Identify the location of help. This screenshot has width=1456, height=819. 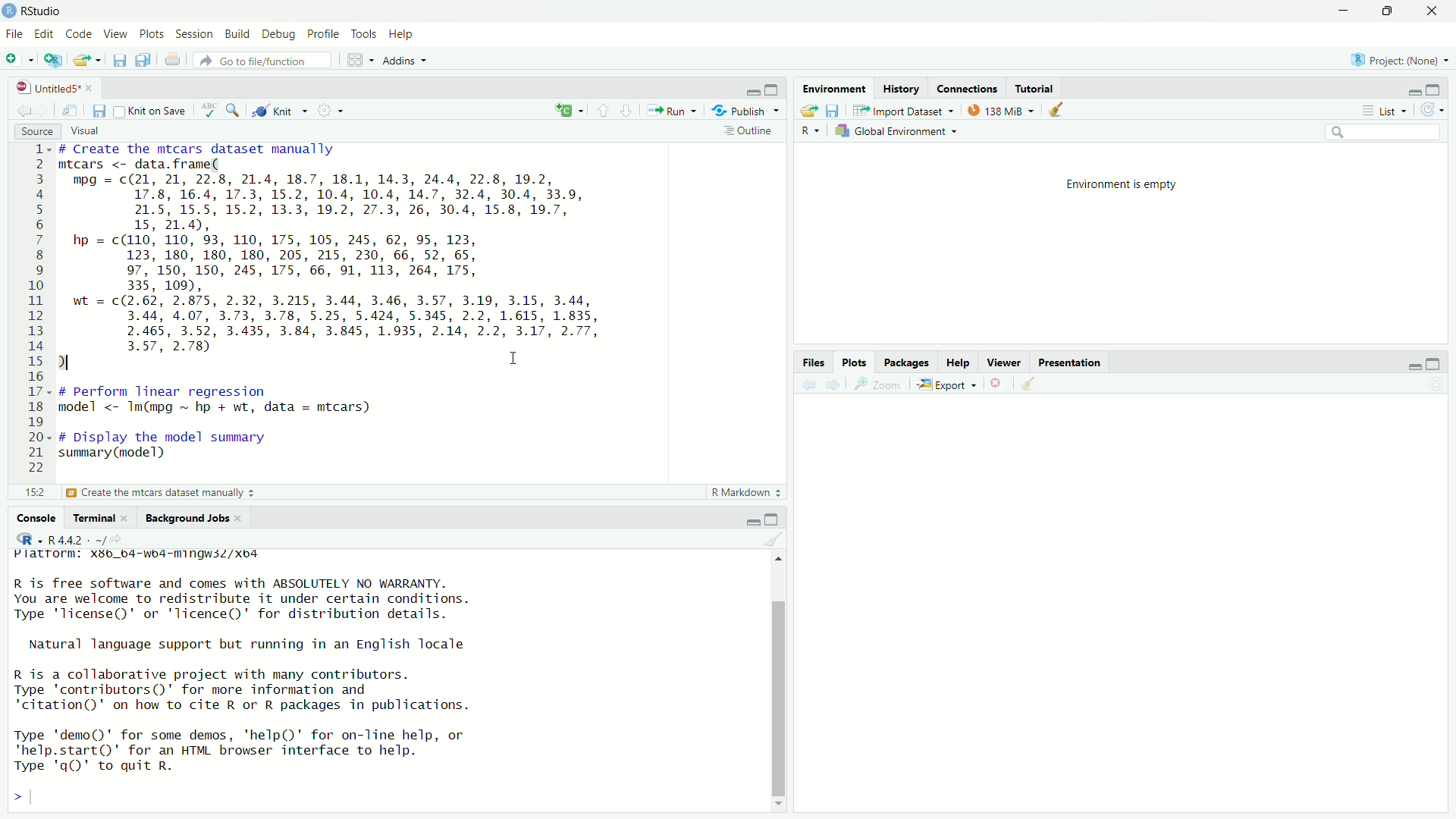
(403, 35).